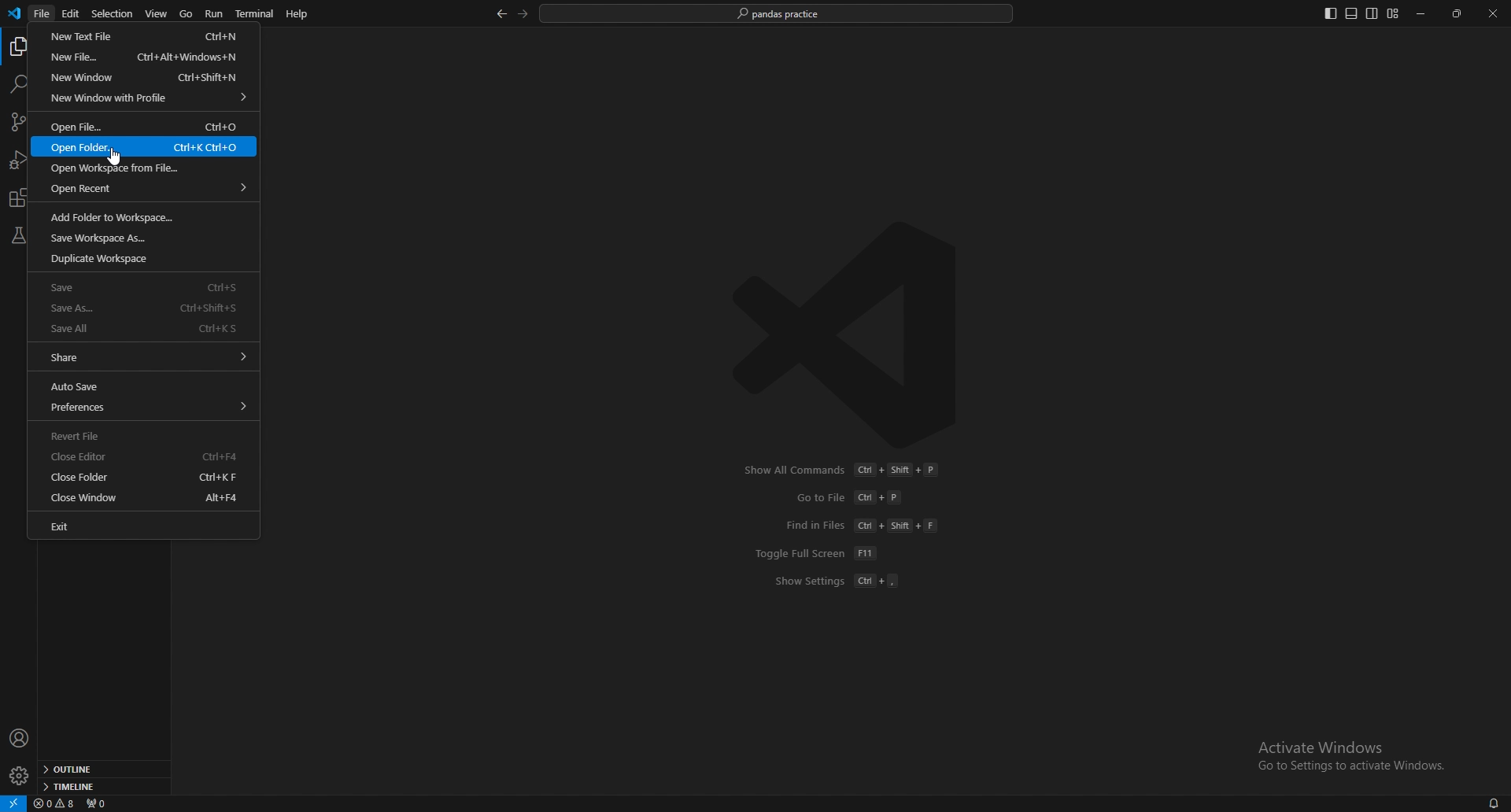  I want to click on auto save, so click(141, 386).